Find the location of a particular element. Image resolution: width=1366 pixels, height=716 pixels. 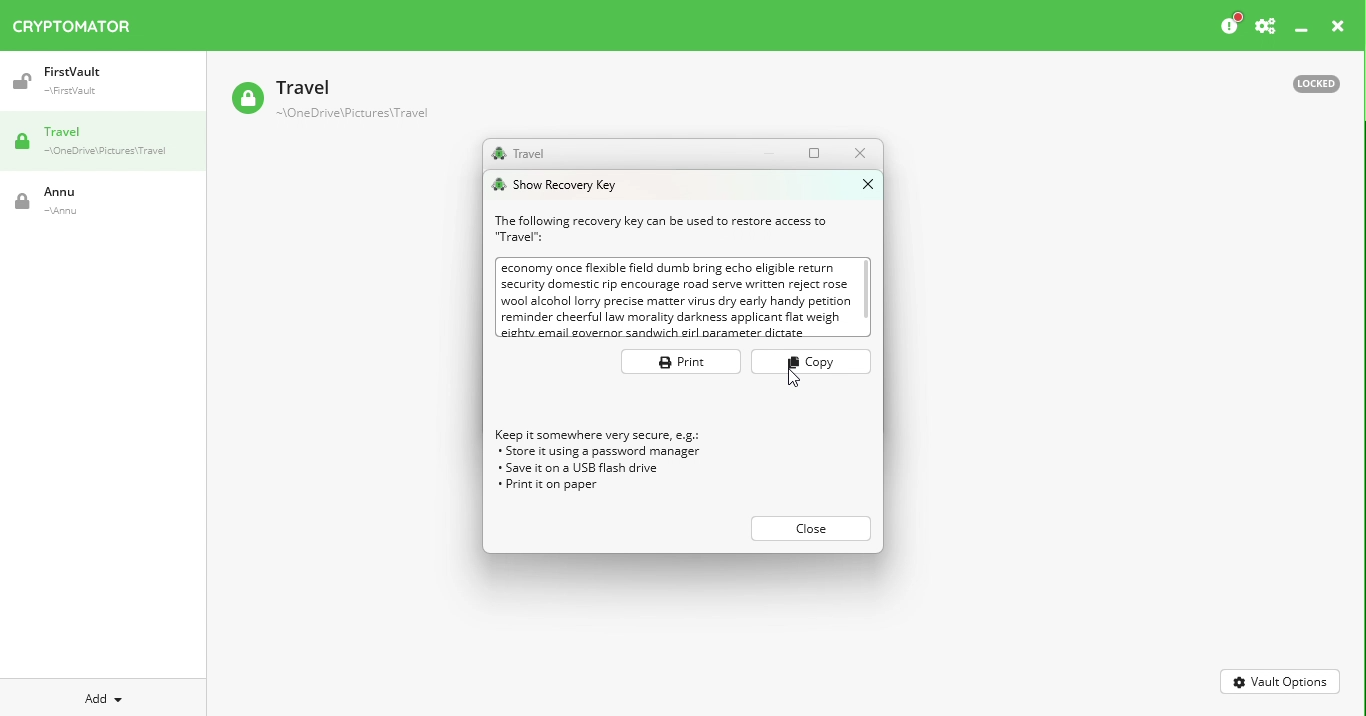

Show recovery key is located at coordinates (561, 184).